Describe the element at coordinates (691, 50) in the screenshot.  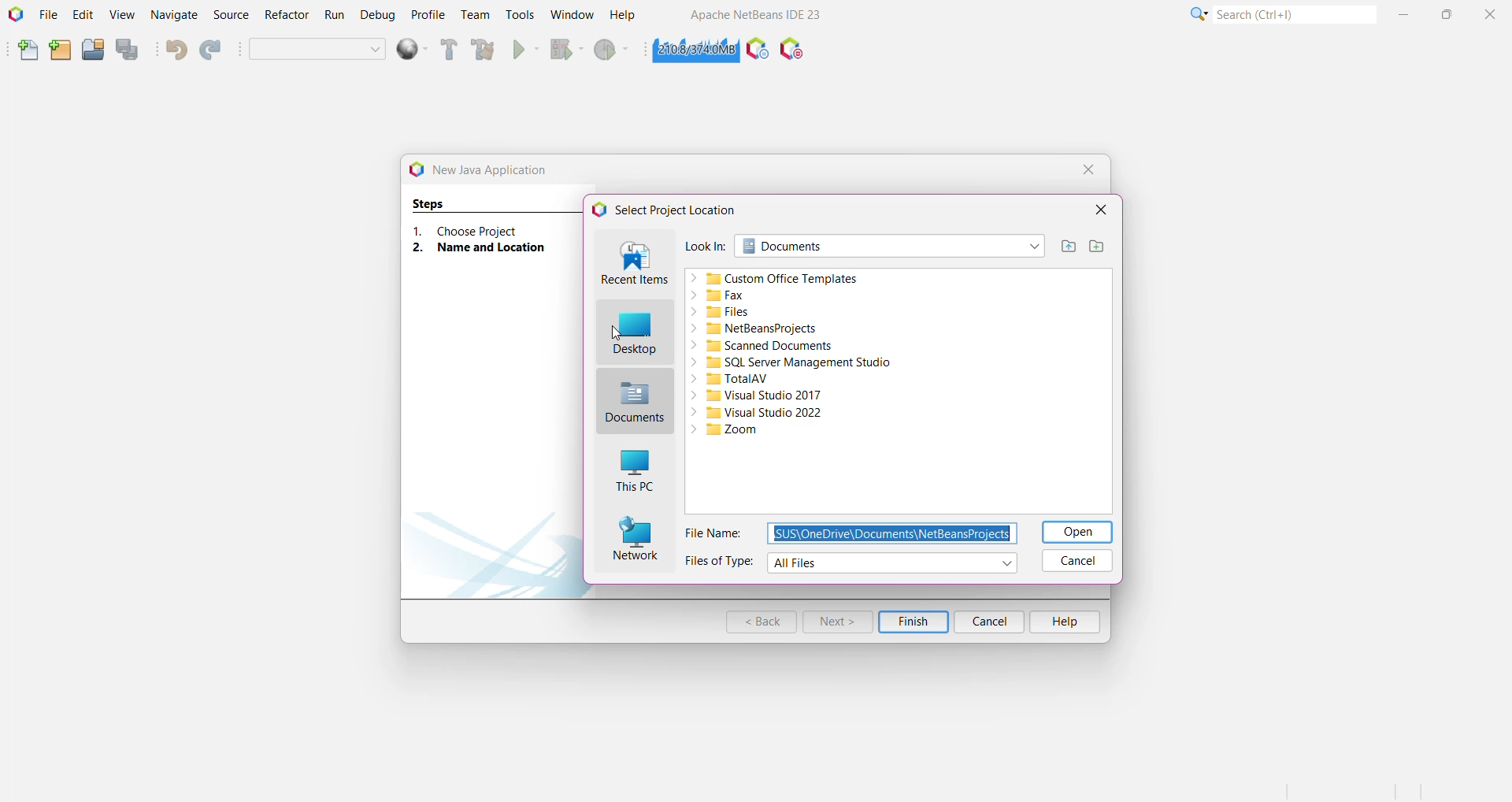
I see `Click to force garbage collection` at that location.